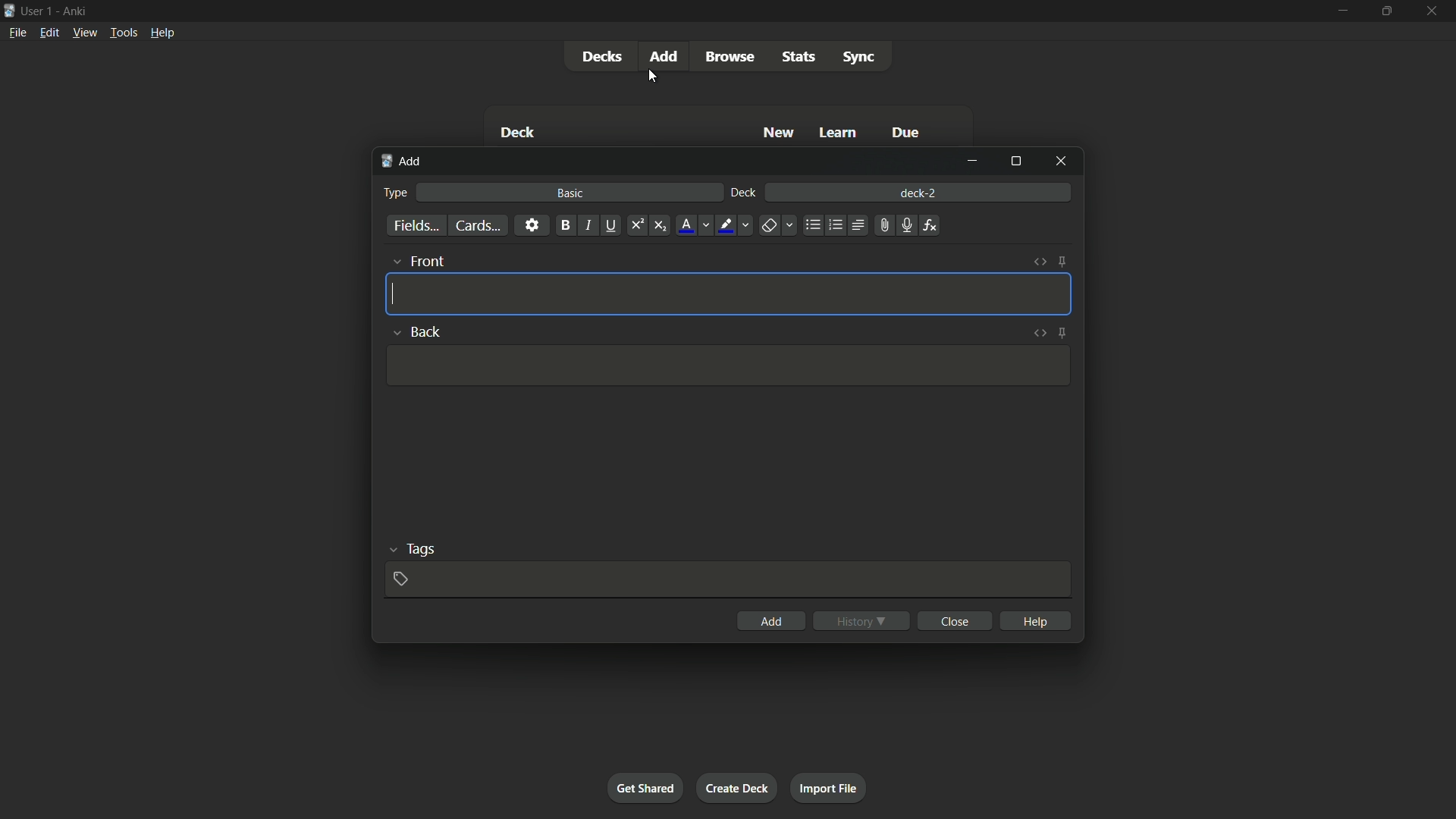  What do you see at coordinates (885, 224) in the screenshot?
I see `attach` at bounding box center [885, 224].